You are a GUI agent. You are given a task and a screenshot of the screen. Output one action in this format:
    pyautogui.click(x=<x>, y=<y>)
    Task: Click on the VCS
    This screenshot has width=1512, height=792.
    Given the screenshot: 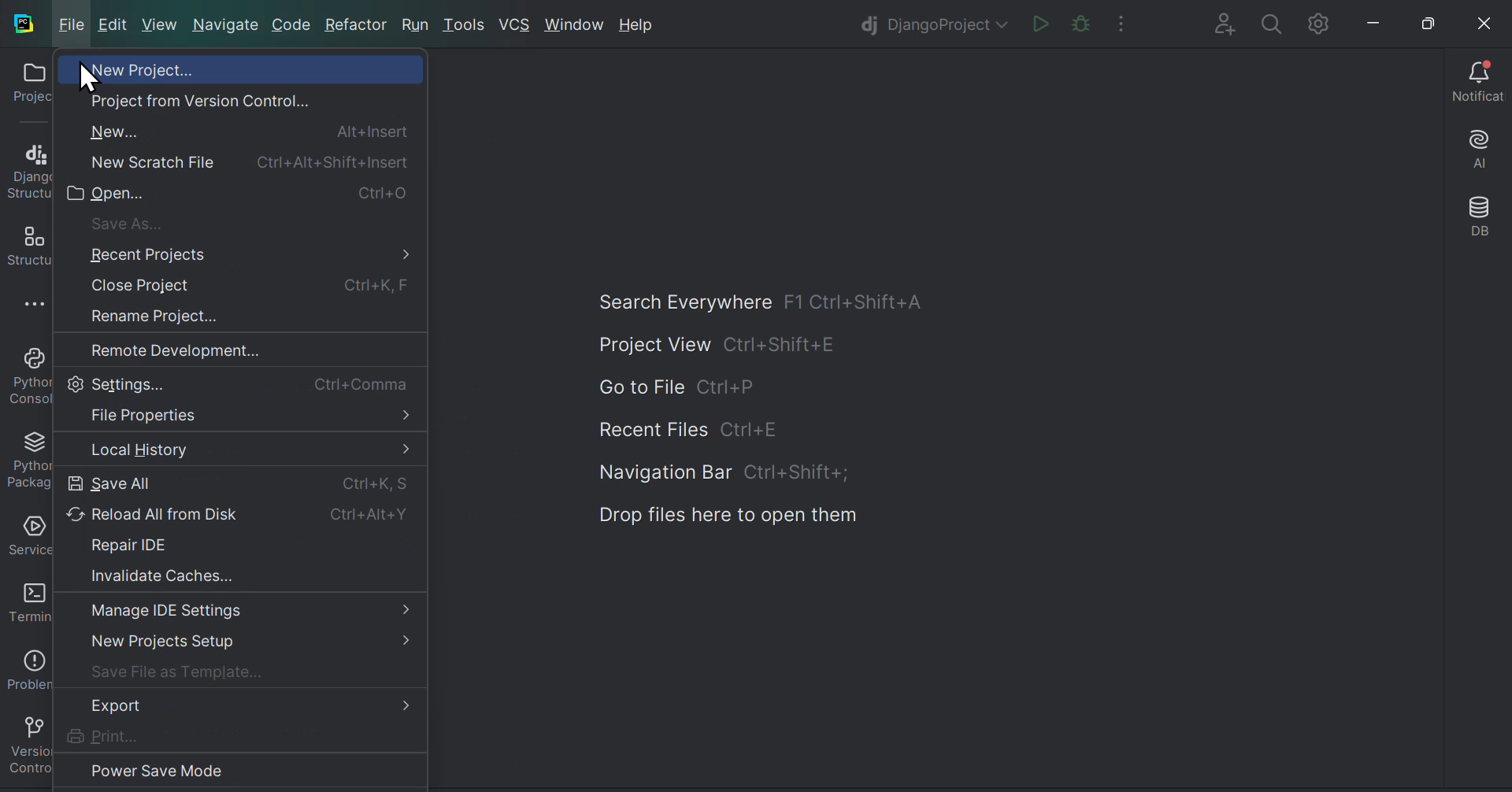 What is the action you would take?
    pyautogui.click(x=514, y=24)
    